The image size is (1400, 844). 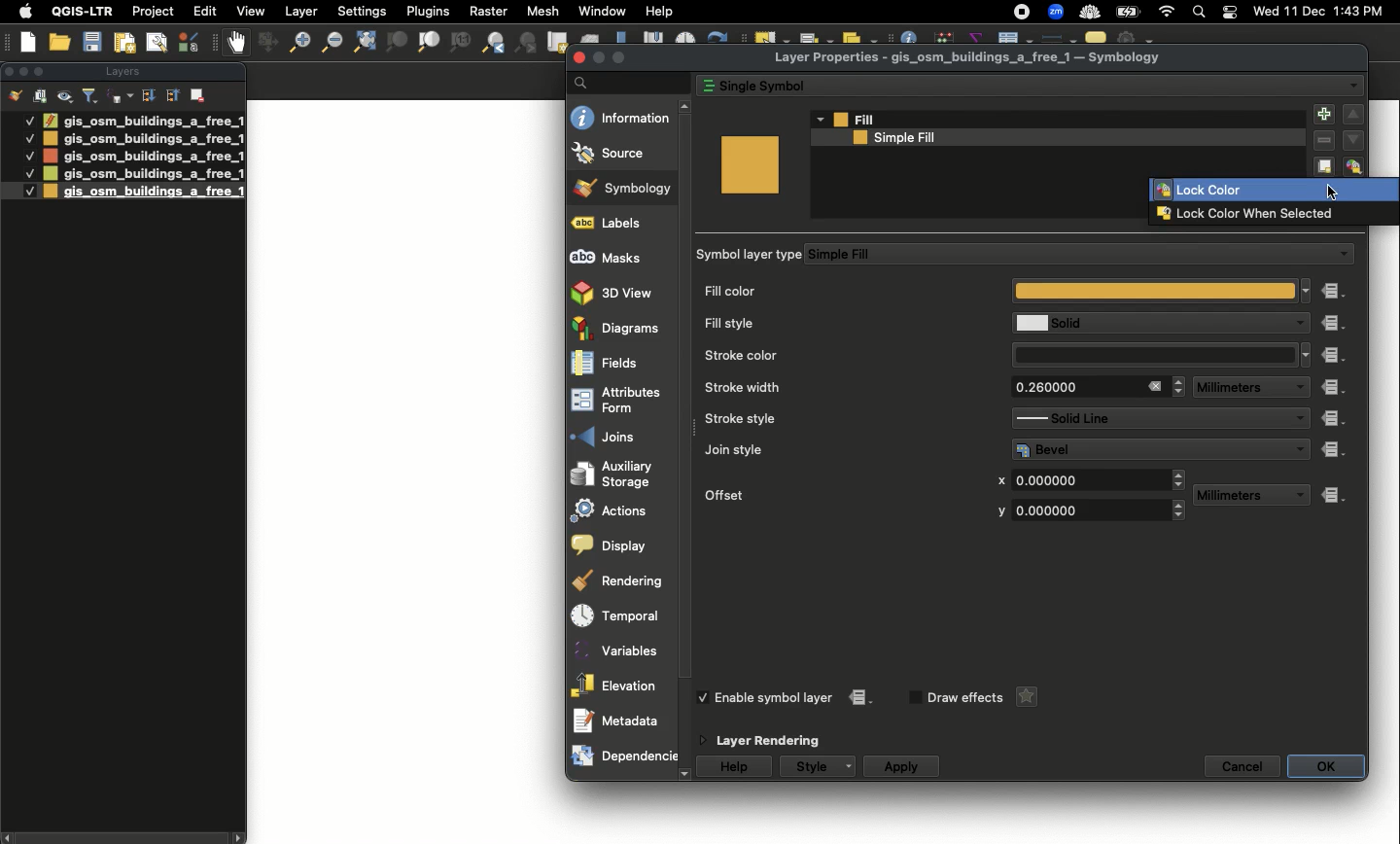 I want to click on Cursor, so click(x=1330, y=191).